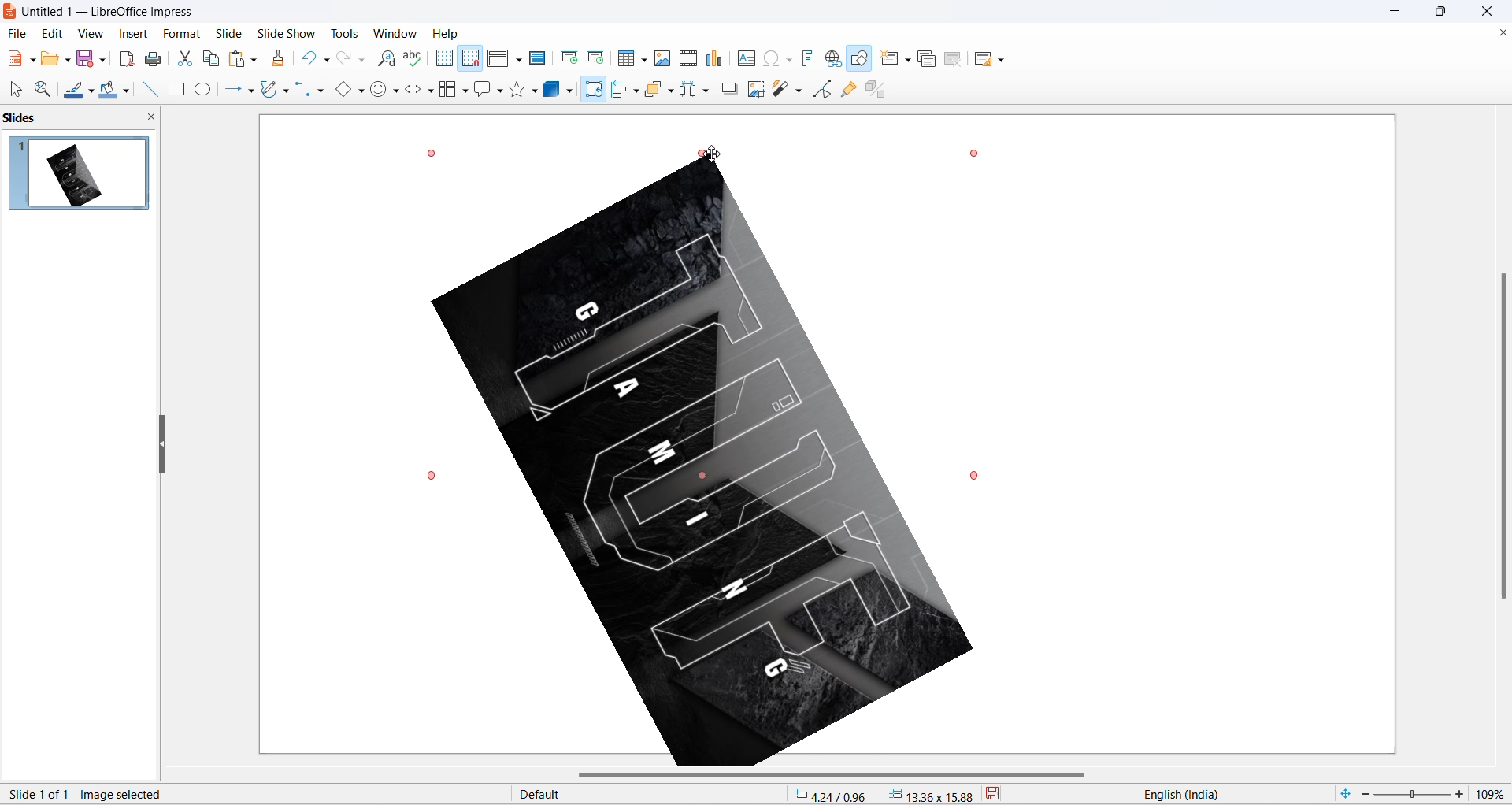 The height and width of the screenshot is (805, 1512). What do you see at coordinates (253, 57) in the screenshot?
I see `paste options` at bounding box center [253, 57].